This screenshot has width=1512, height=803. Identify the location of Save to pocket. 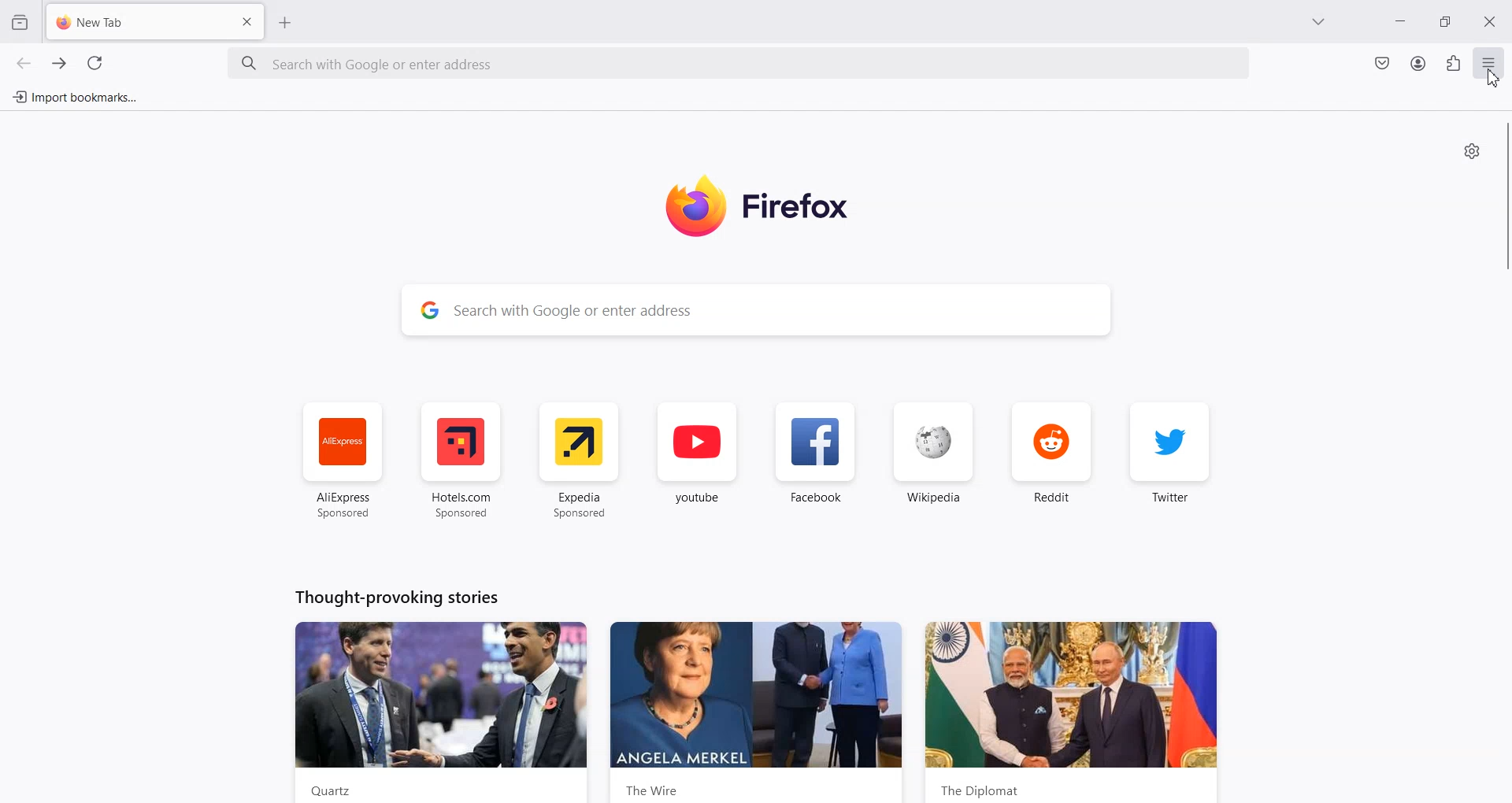
(1383, 63).